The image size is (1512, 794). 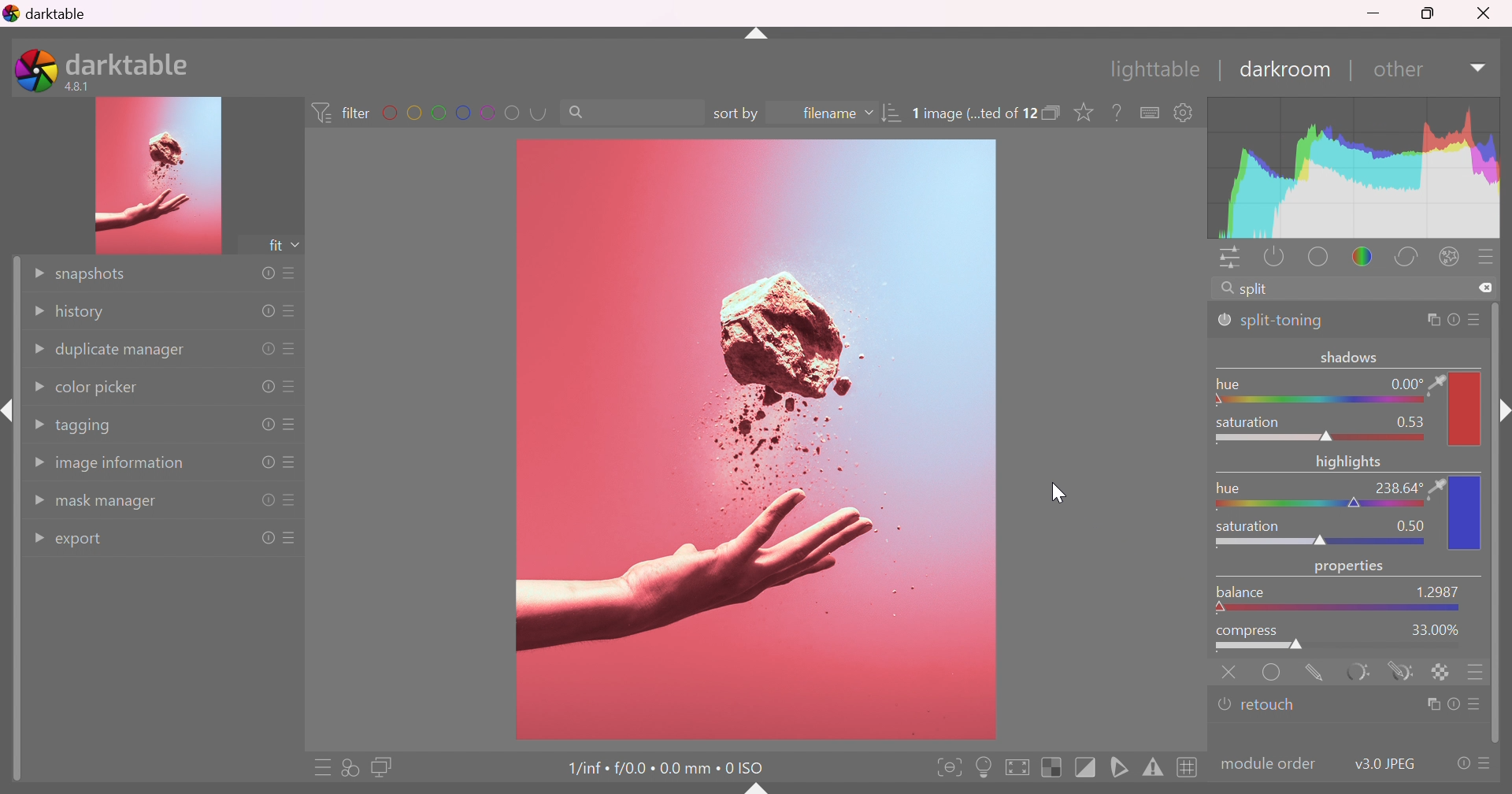 I want to click on reset parameters, so click(x=1456, y=319).